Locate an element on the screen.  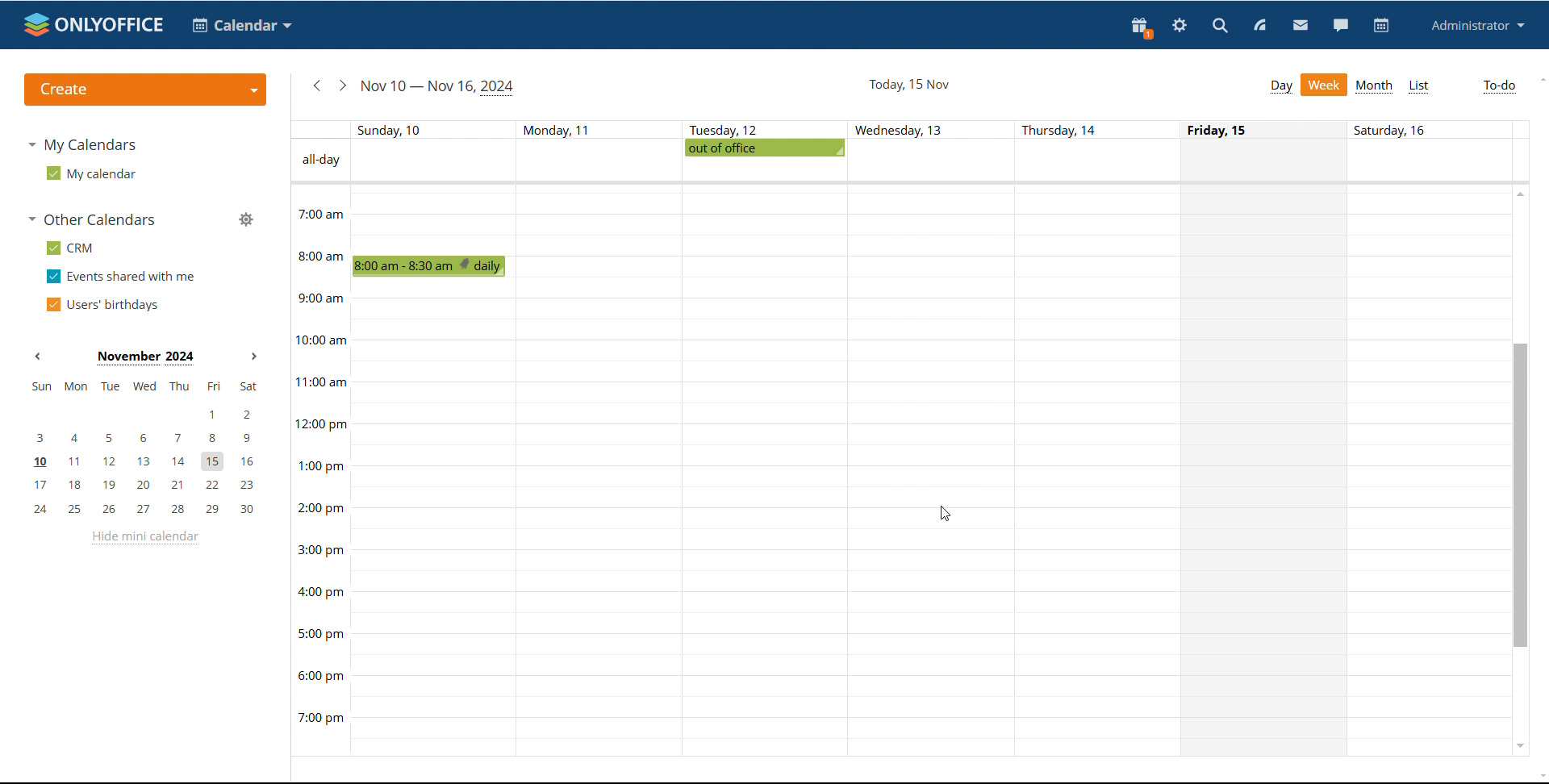
profile is located at coordinates (1479, 26).